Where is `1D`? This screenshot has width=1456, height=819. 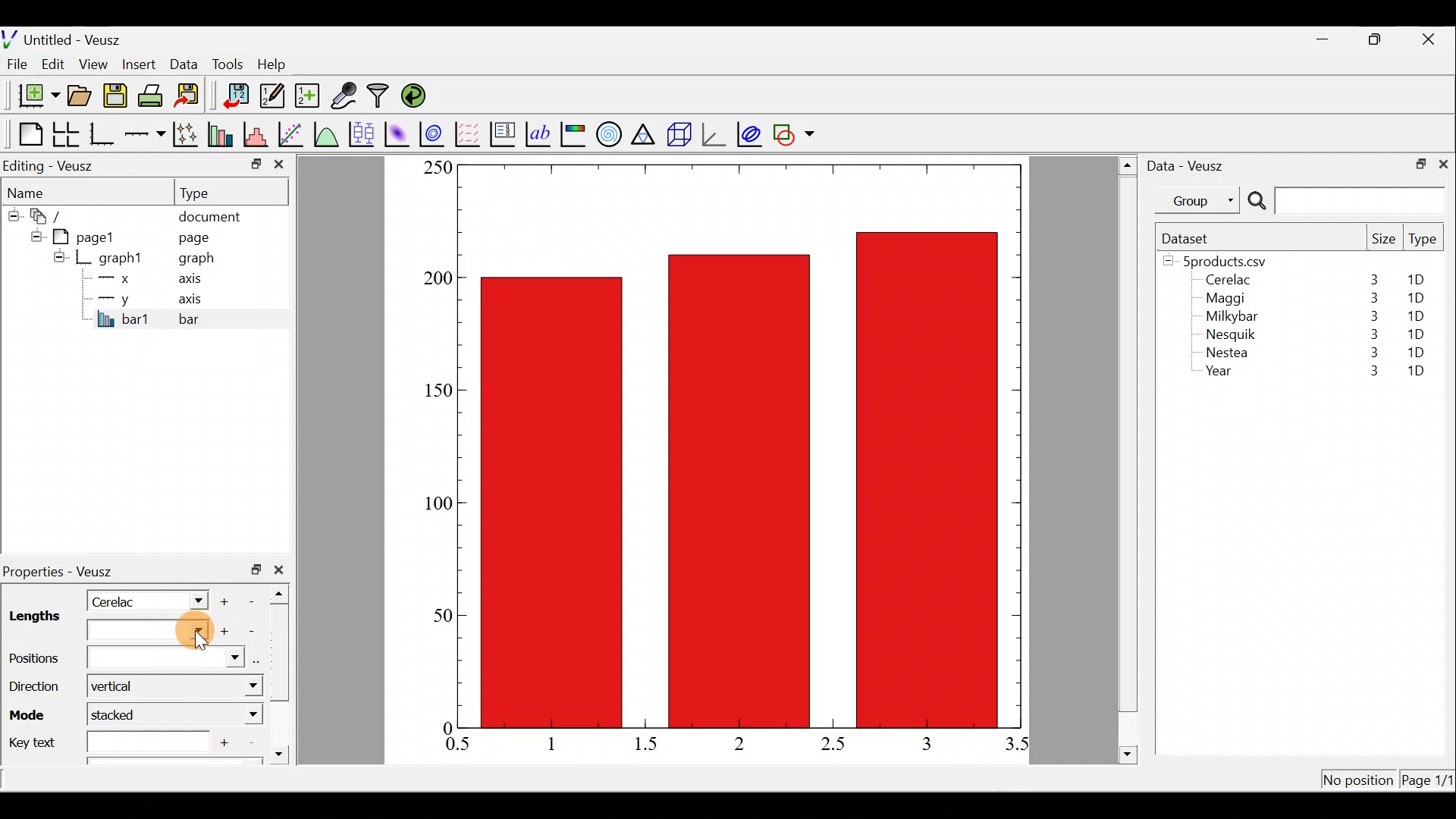
1D is located at coordinates (1416, 352).